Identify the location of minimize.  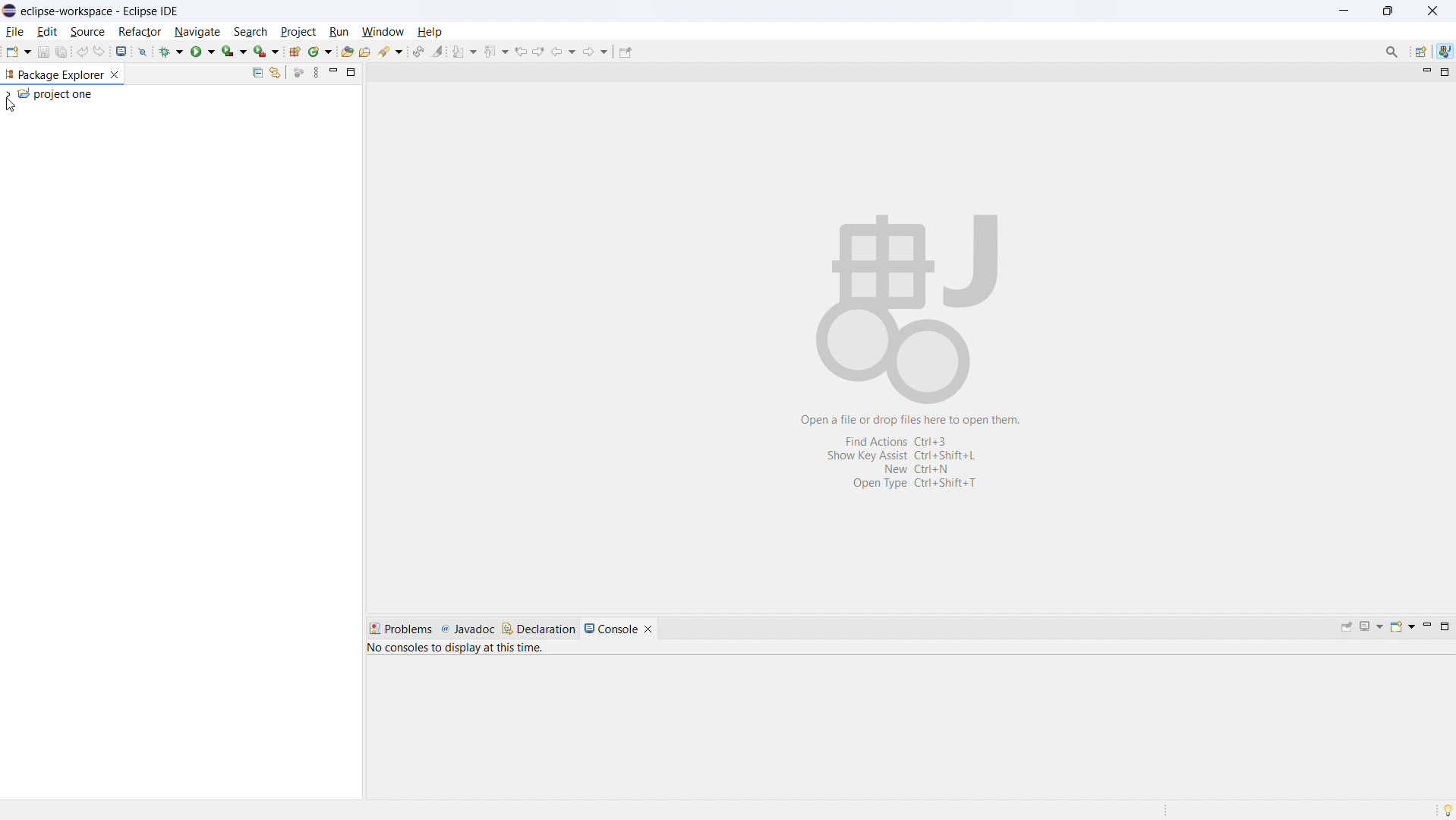
(1344, 11).